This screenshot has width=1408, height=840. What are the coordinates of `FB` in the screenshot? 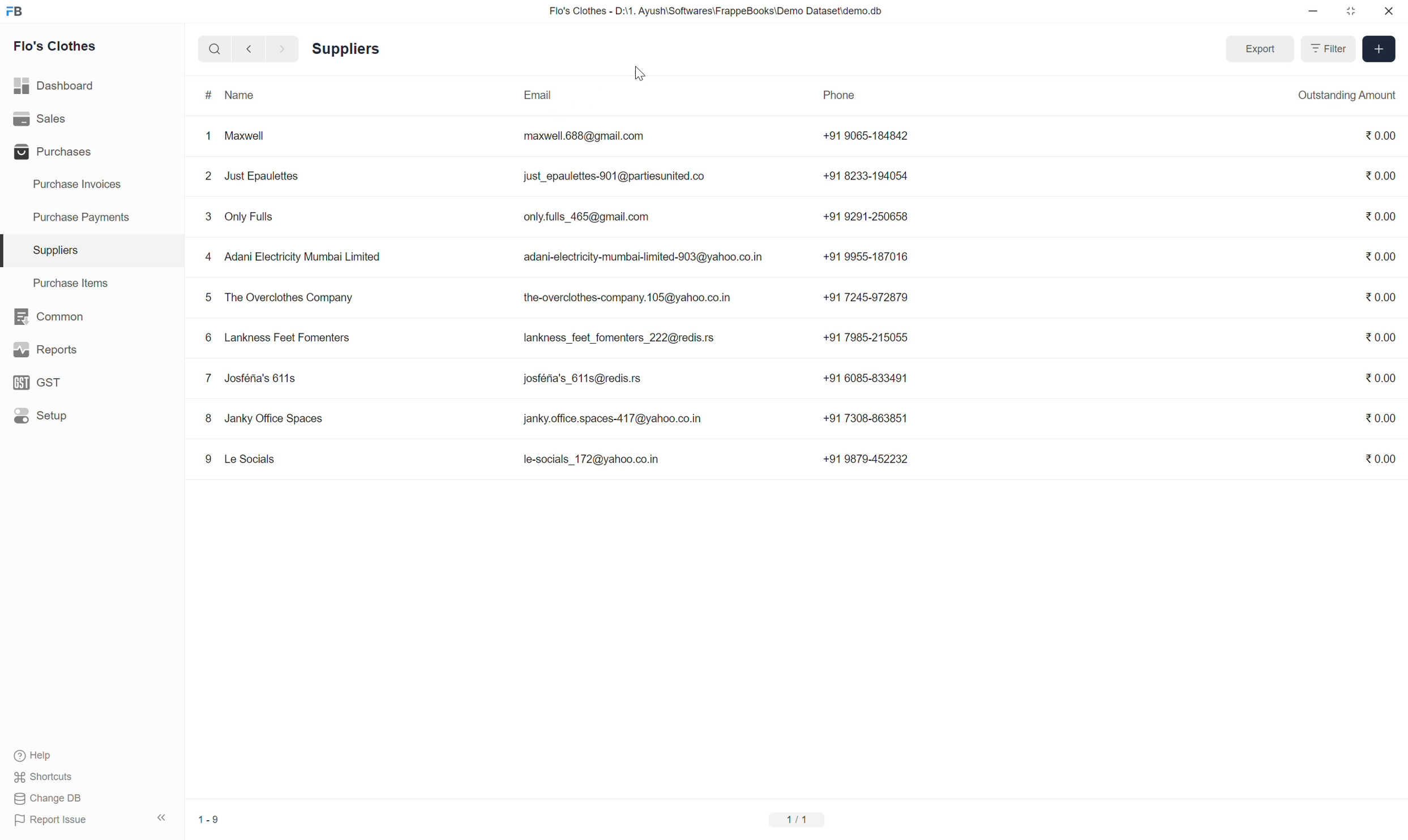 It's located at (14, 12).